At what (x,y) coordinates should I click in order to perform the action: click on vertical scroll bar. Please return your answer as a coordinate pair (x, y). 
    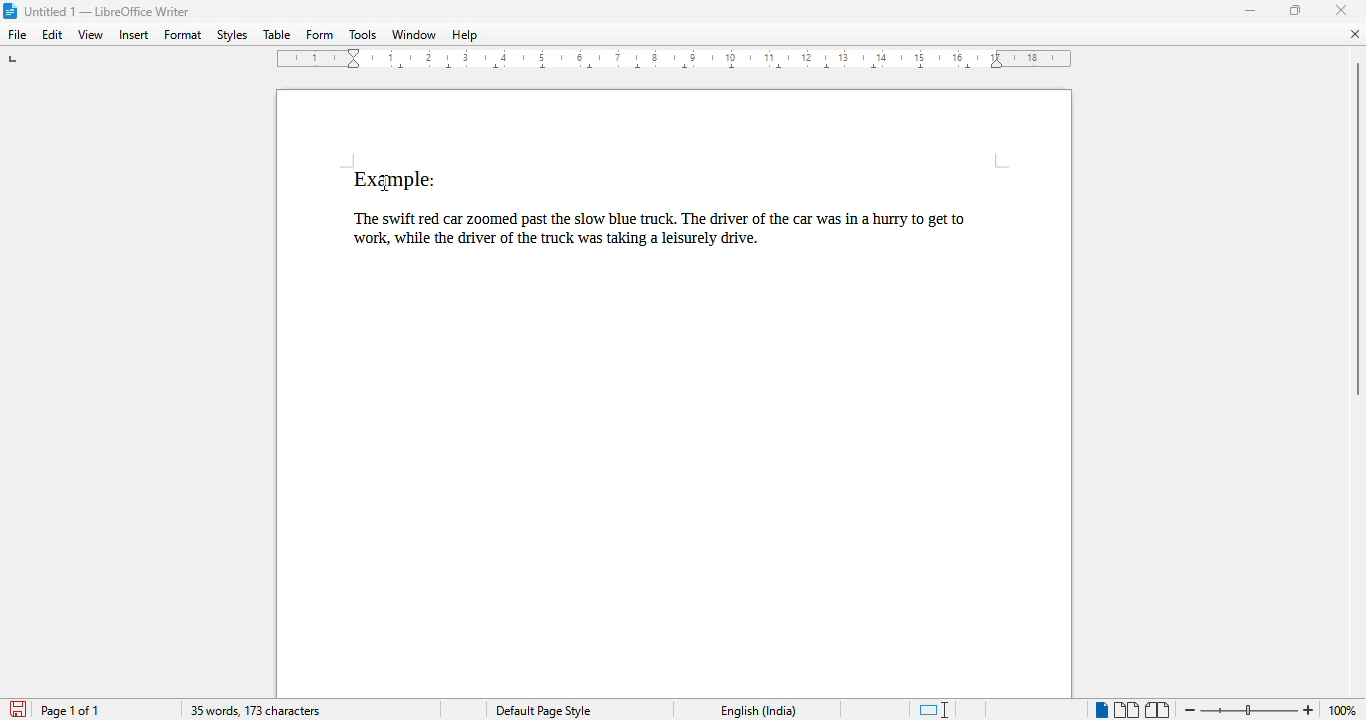
    Looking at the image, I should click on (1359, 229).